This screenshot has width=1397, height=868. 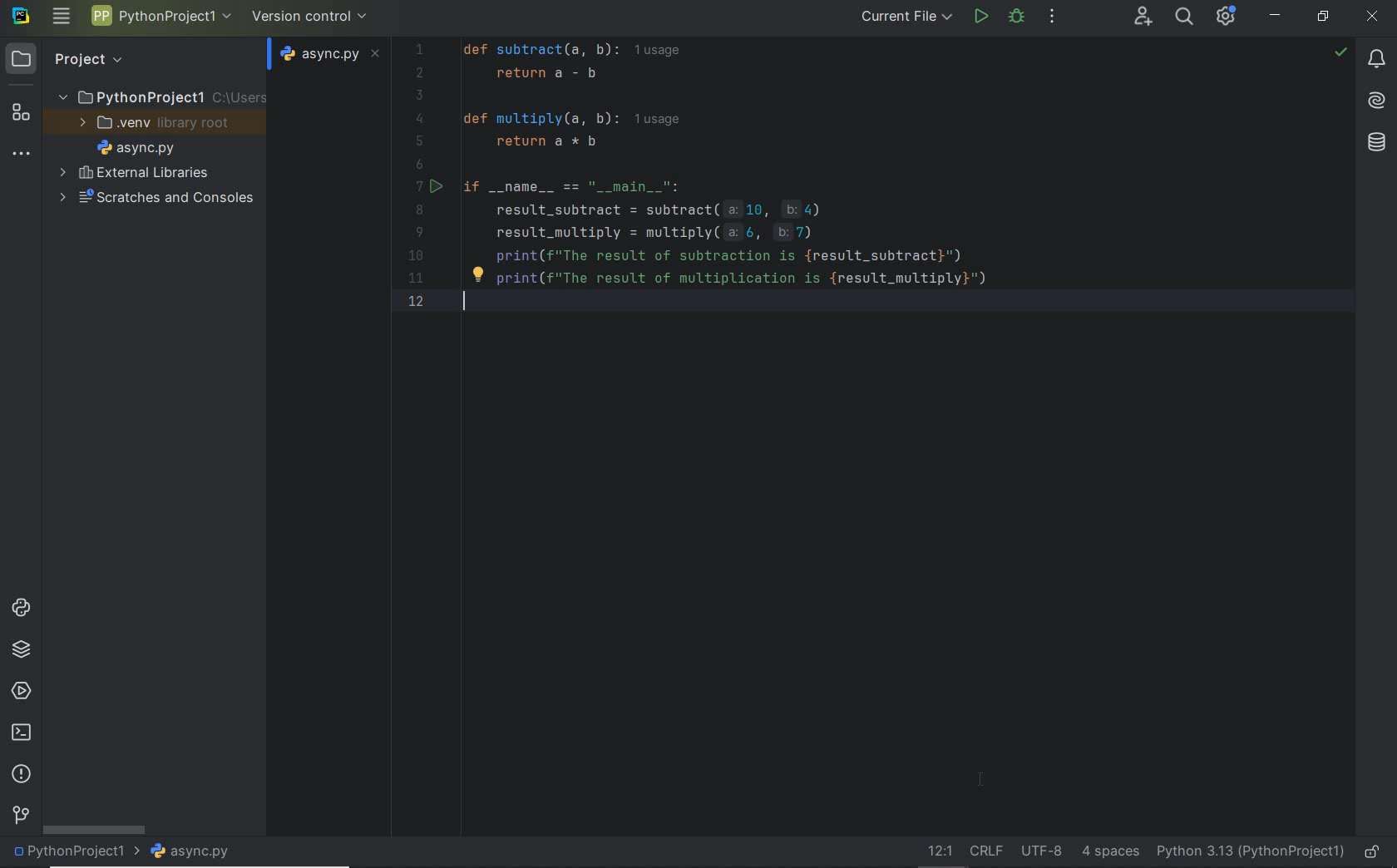 I want to click on run, so click(x=980, y=18).